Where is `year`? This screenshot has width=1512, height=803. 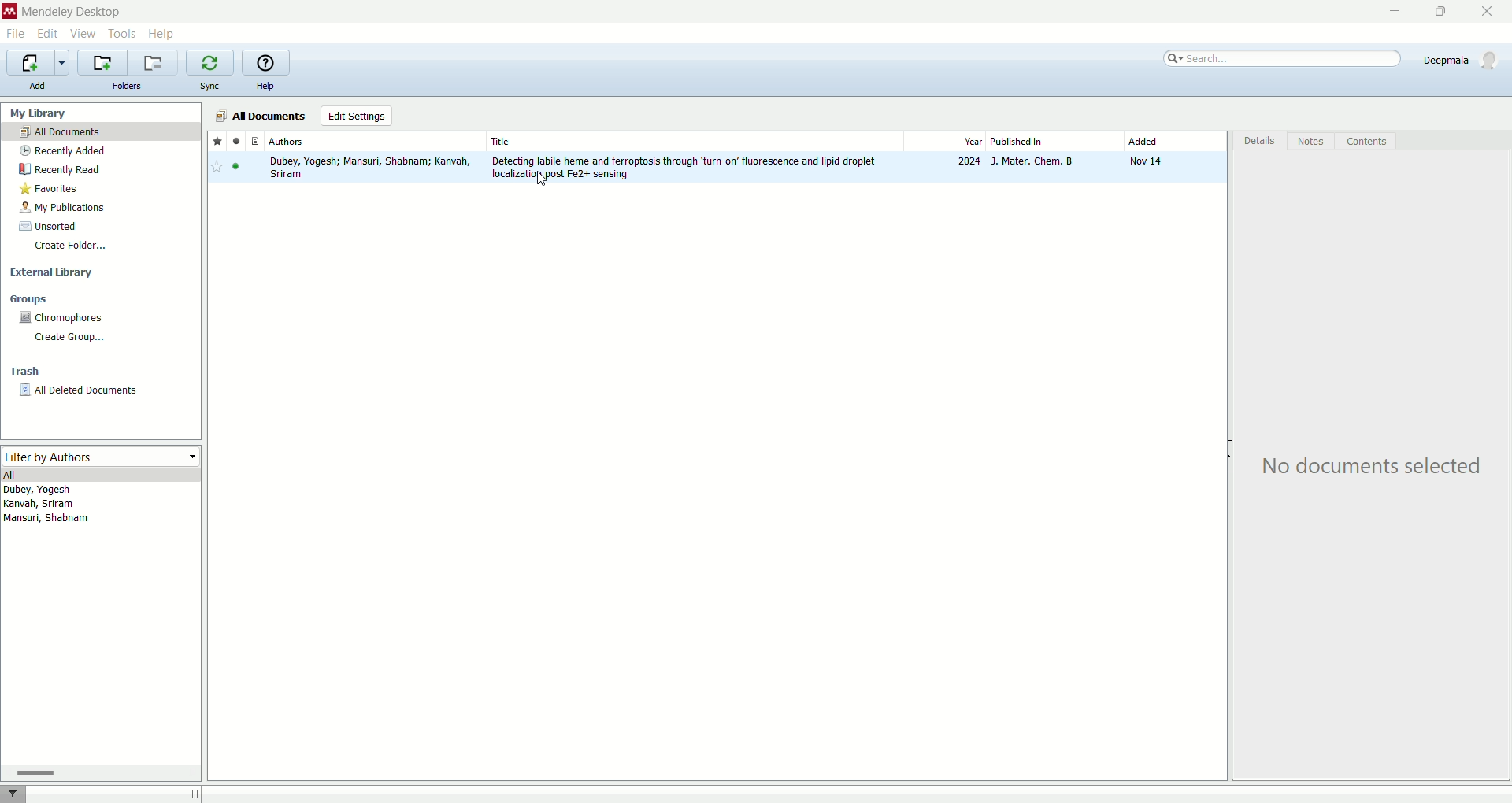
year is located at coordinates (943, 141).